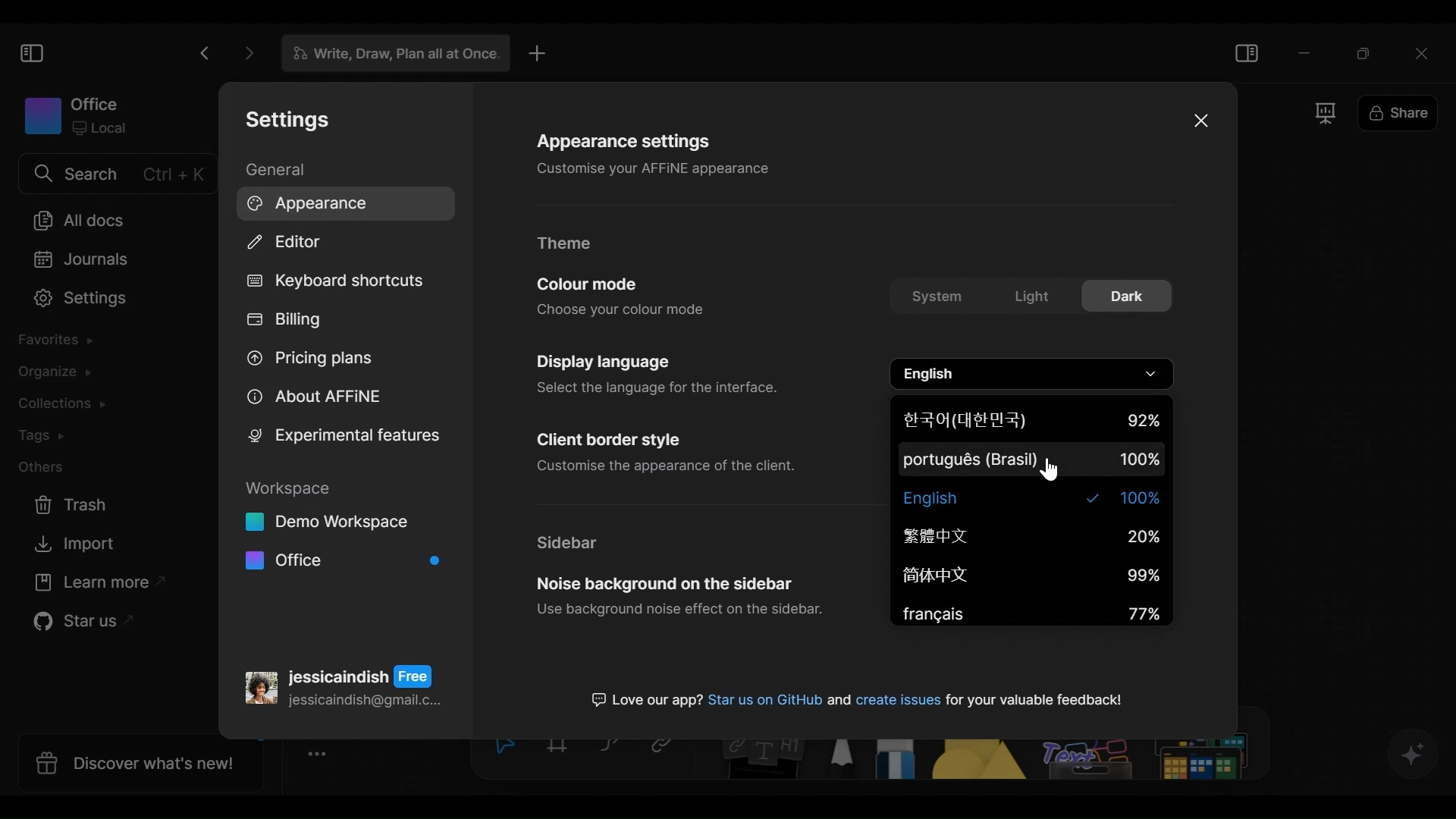 The width and height of the screenshot is (1456, 819). What do you see at coordinates (654, 372) in the screenshot?
I see `Display settings` at bounding box center [654, 372].